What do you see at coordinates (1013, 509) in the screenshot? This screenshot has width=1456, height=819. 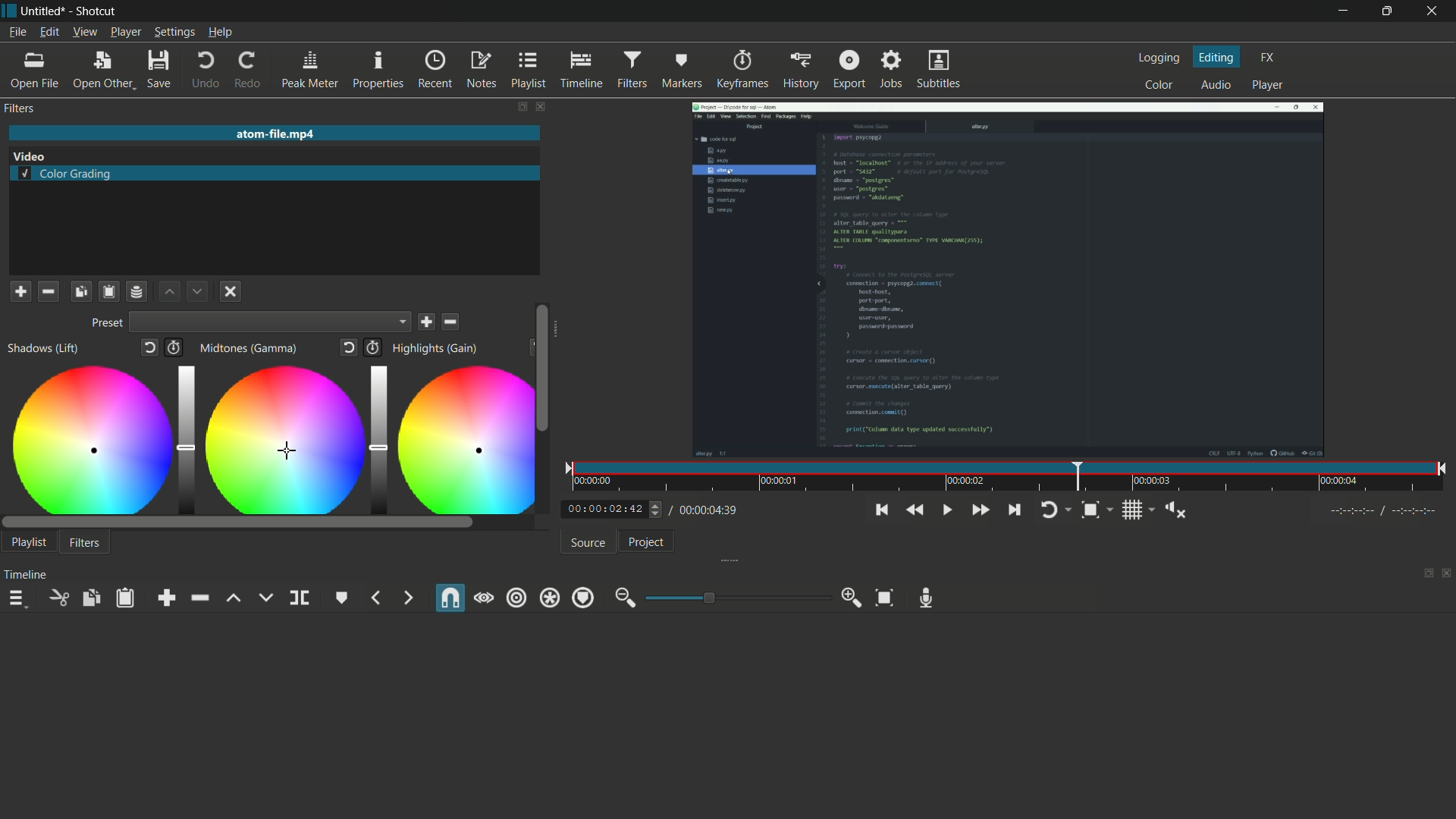 I see `skip to the next point` at bounding box center [1013, 509].